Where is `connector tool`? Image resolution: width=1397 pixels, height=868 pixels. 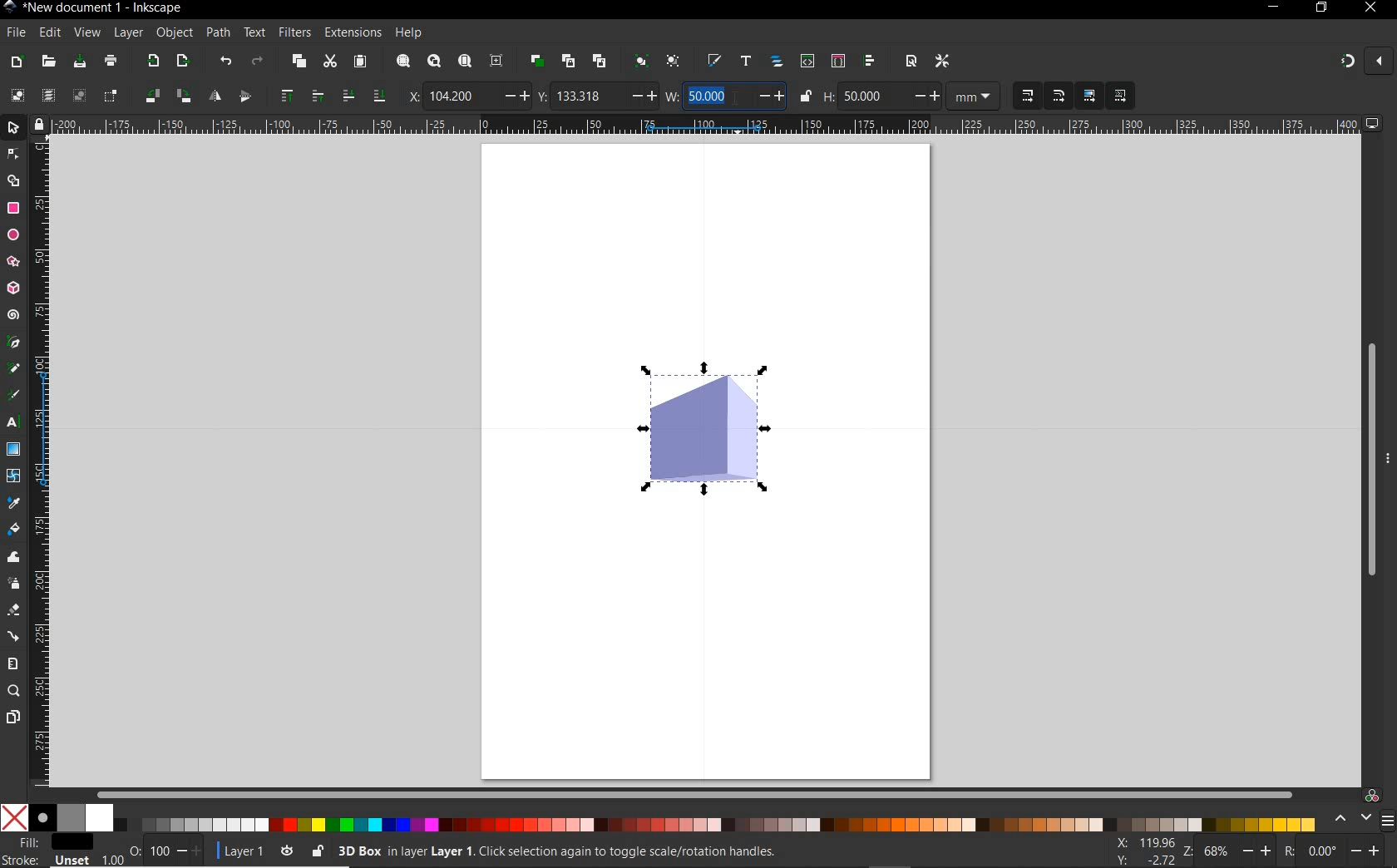
connector tool is located at coordinates (15, 637).